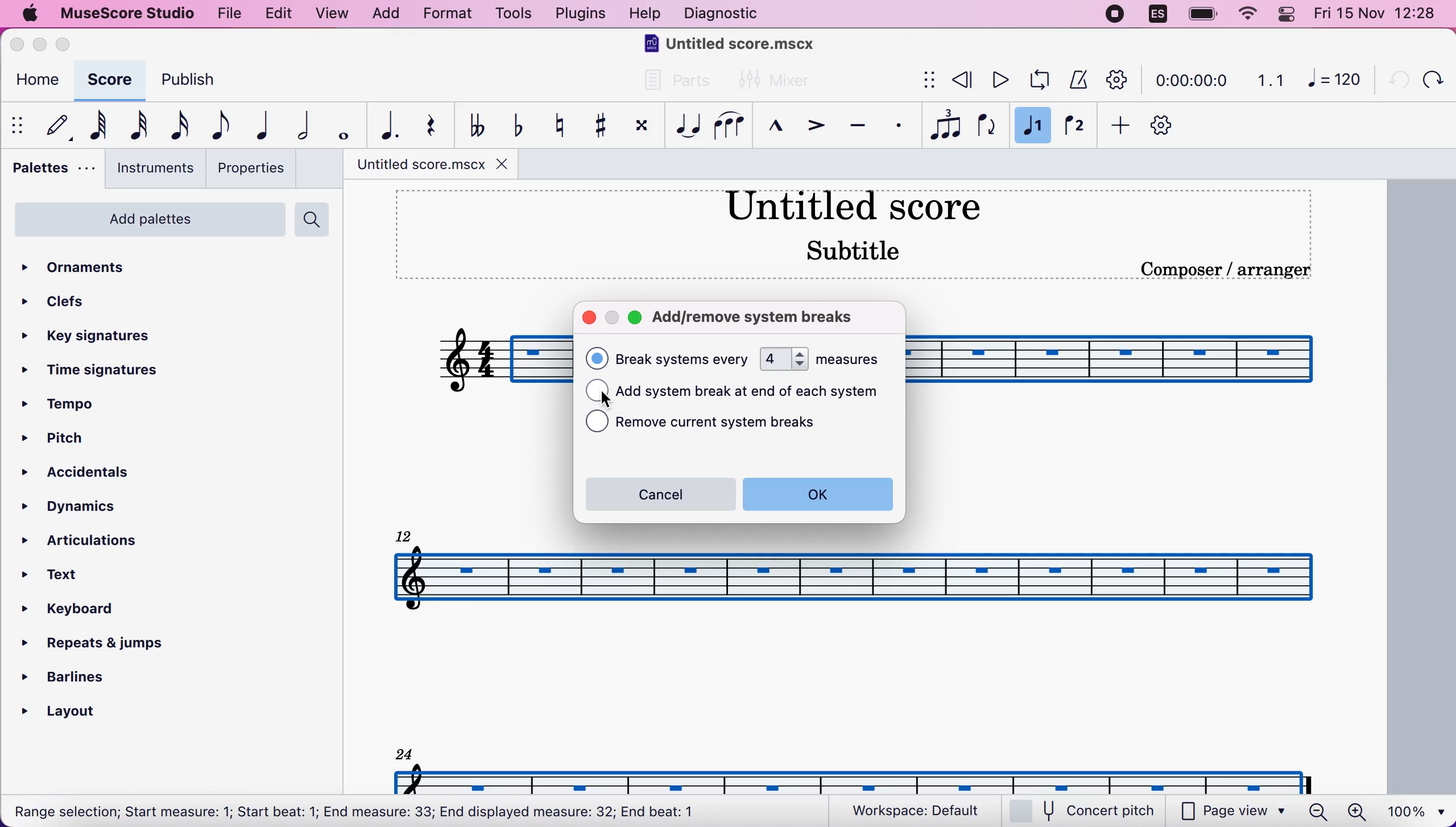  What do you see at coordinates (71, 440) in the screenshot?
I see `pitch` at bounding box center [71, 440].